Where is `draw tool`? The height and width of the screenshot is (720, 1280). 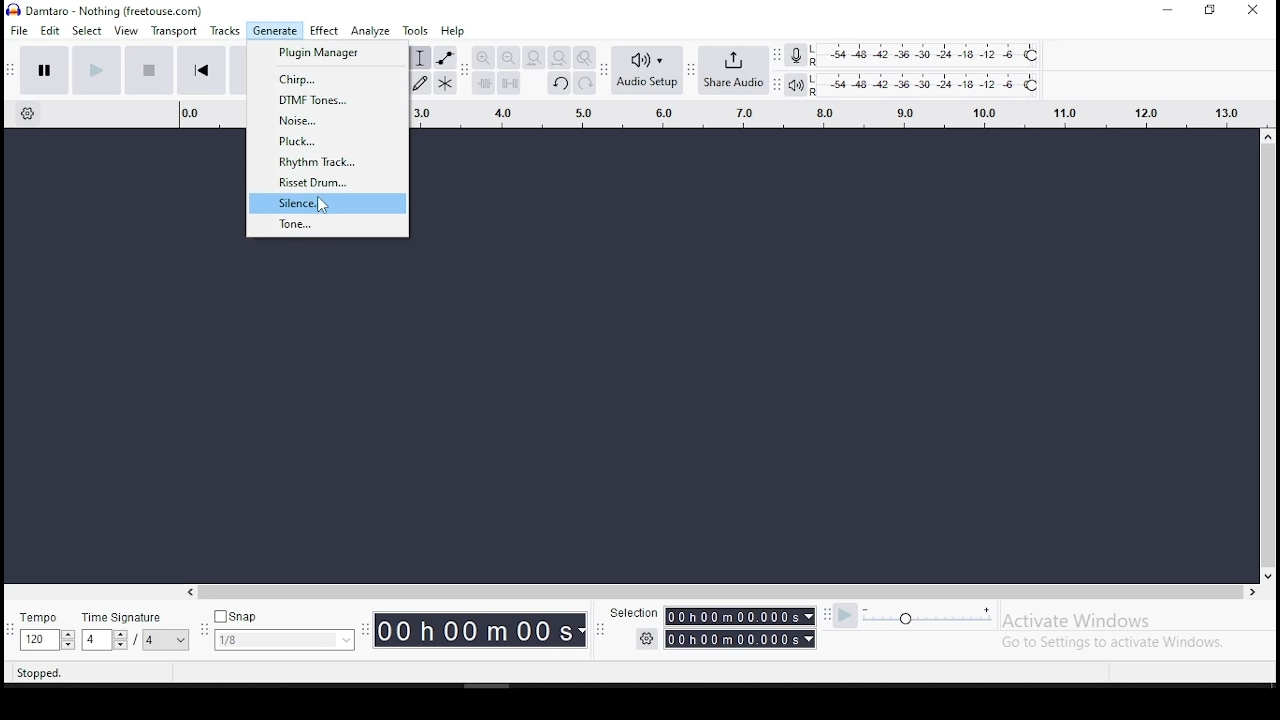 draw tool is located at coordinates (423, 83).